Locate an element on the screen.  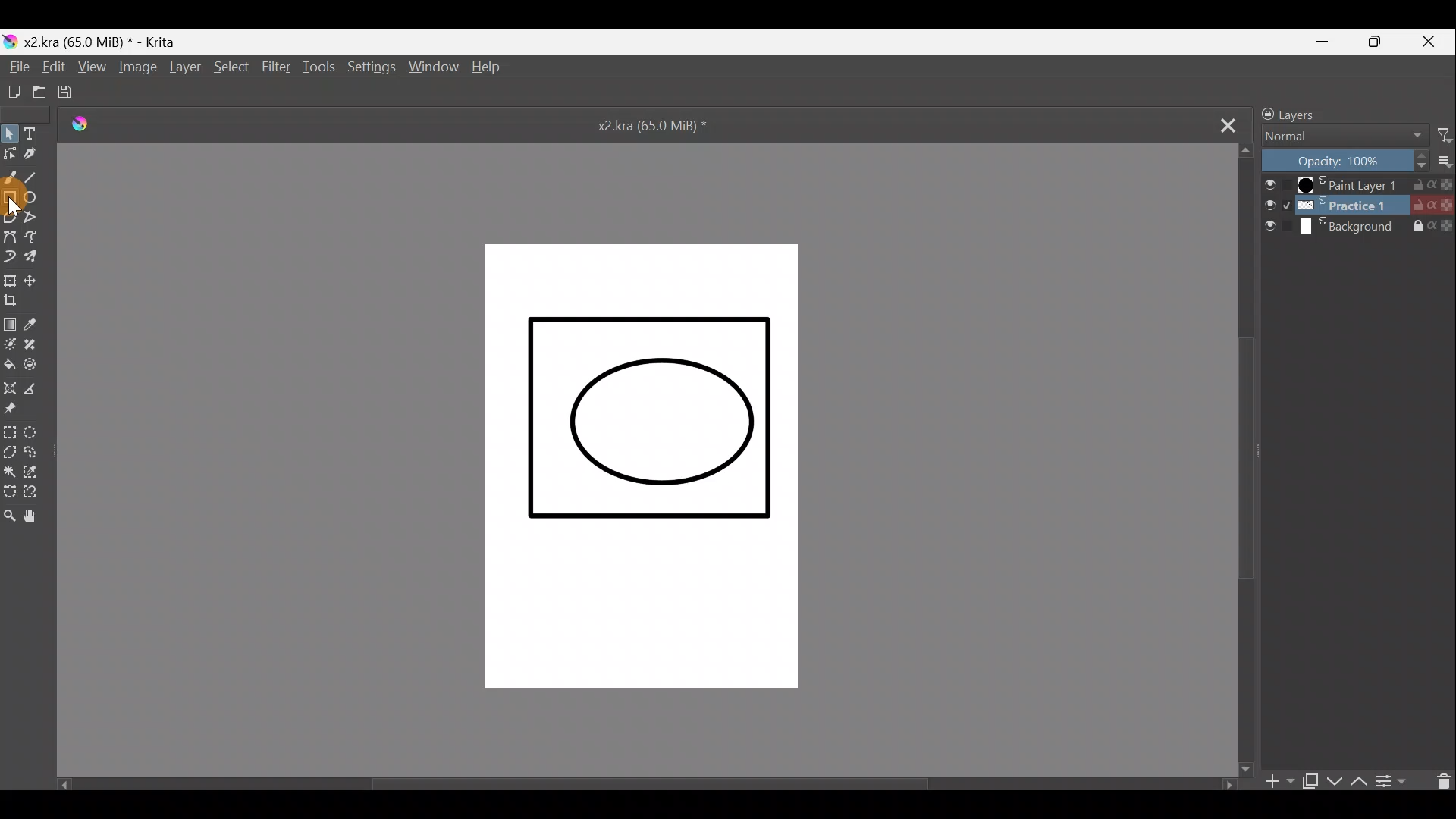
Rectangle tool is located at coordinates (10, 200).